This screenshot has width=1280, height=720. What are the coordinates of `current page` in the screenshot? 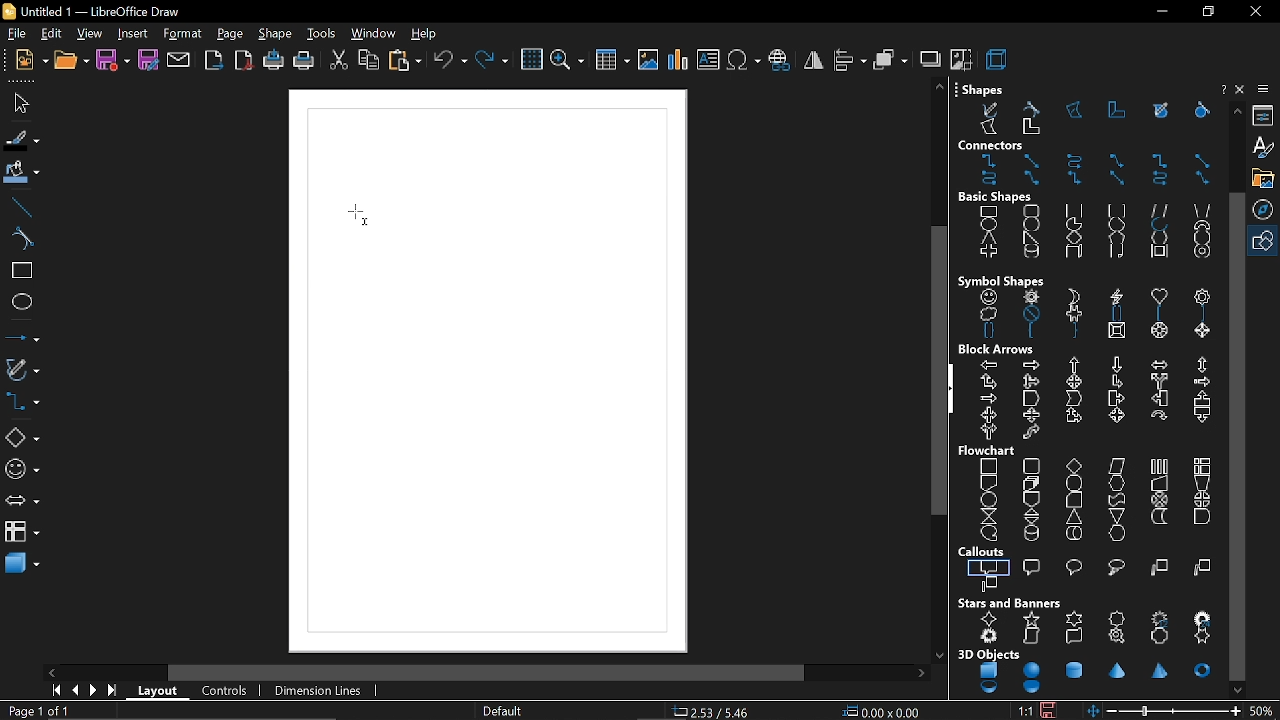 It's located at (40, 712).